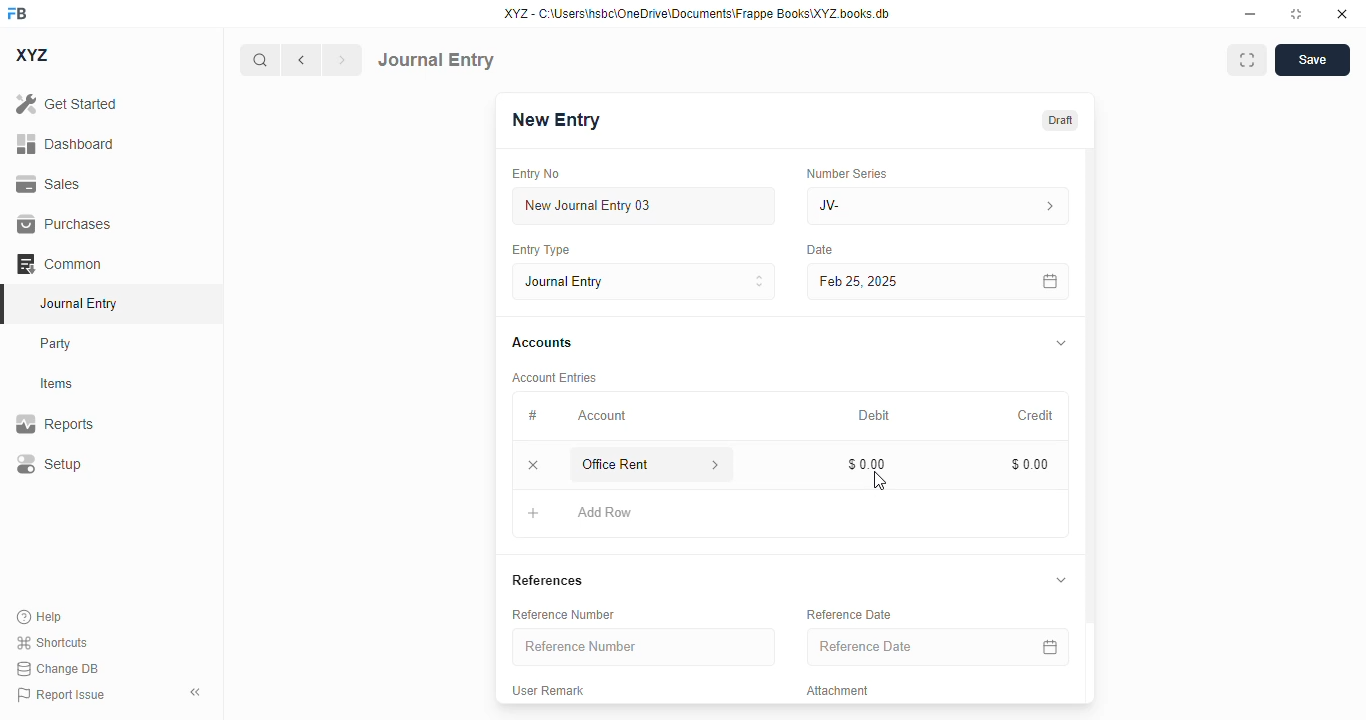 The width and height of the screenshot is (1366, 720). What do you see at coordinates (547, 690) in the screenshot?
I see `user remark` at bounding box center [547, 690].